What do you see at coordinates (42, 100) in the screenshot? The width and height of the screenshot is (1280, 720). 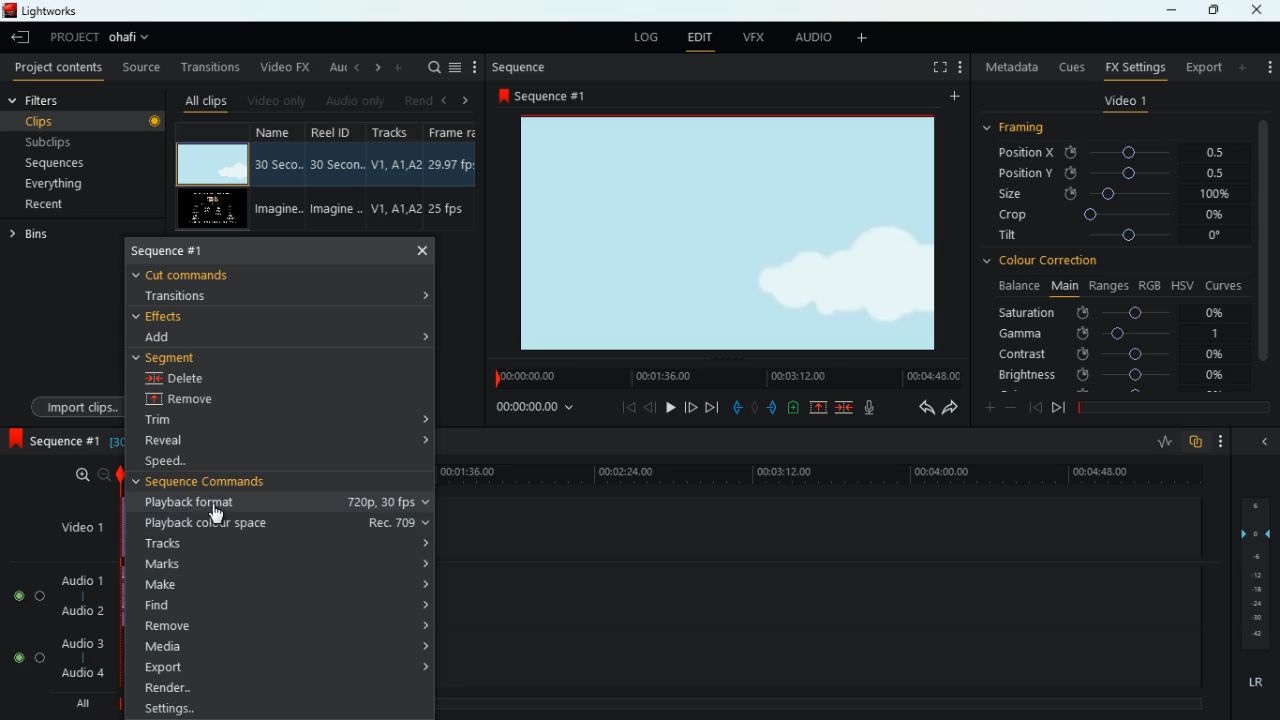 I see `filters` at bounding box center [42, 100].